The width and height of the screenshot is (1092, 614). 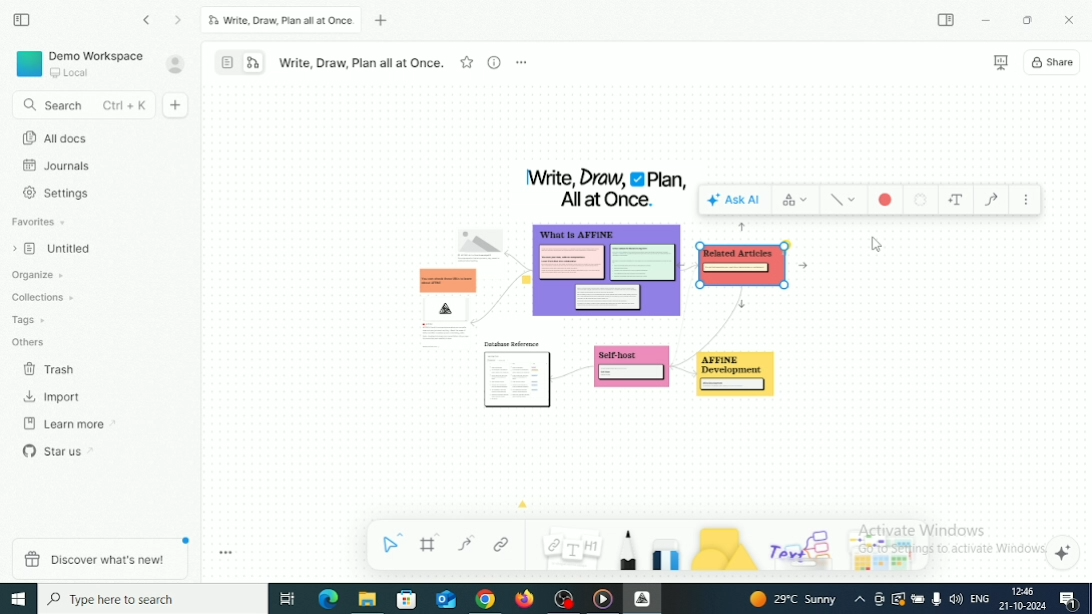 What do you see at coordinates (40, 222) in the screenshot?
I see `Favorites` at bounding box center [40, 222].